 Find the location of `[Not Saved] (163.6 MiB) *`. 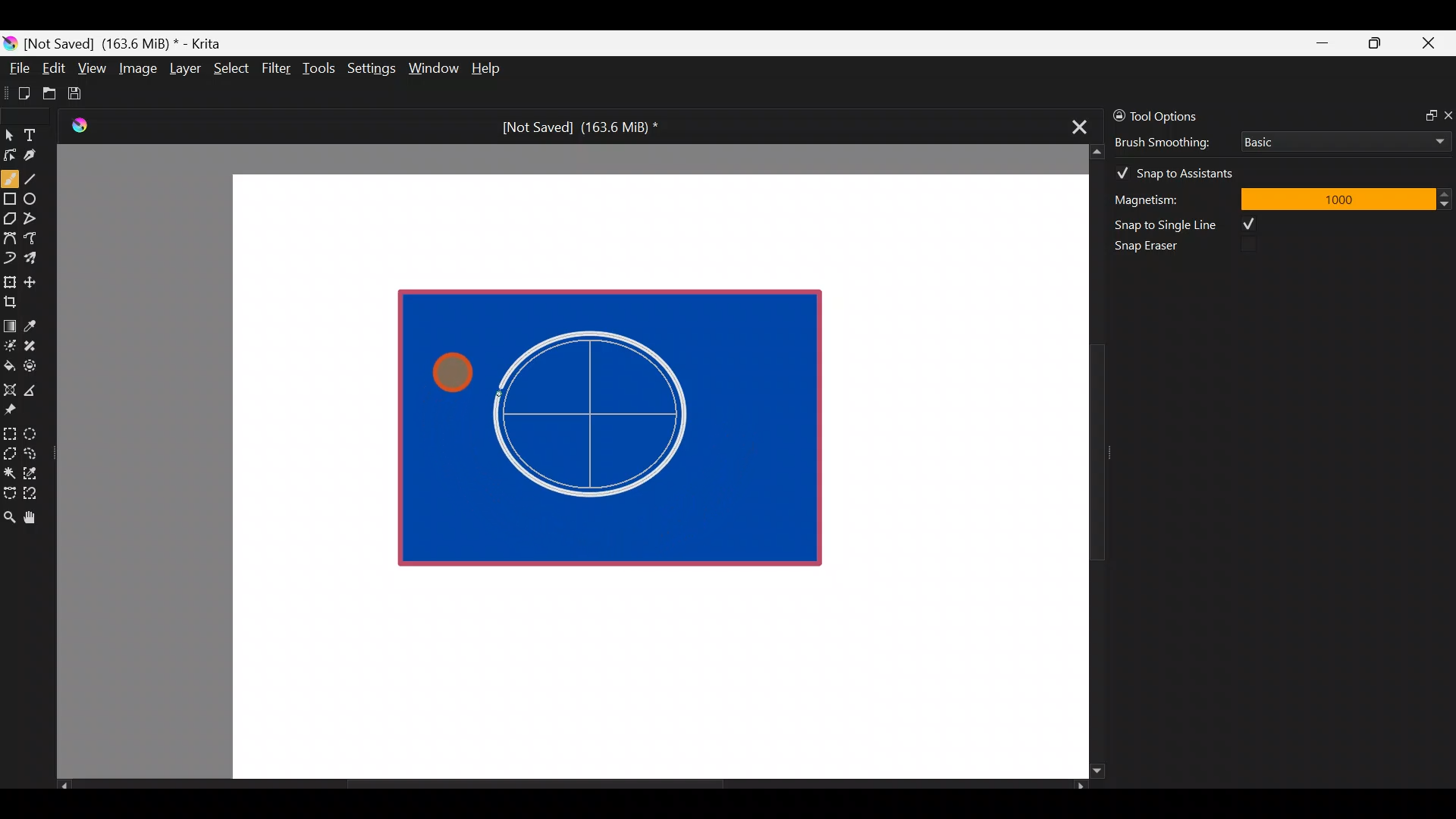

[Not Saved] (163.6 MiB) * is located at coordinates (574, 127).